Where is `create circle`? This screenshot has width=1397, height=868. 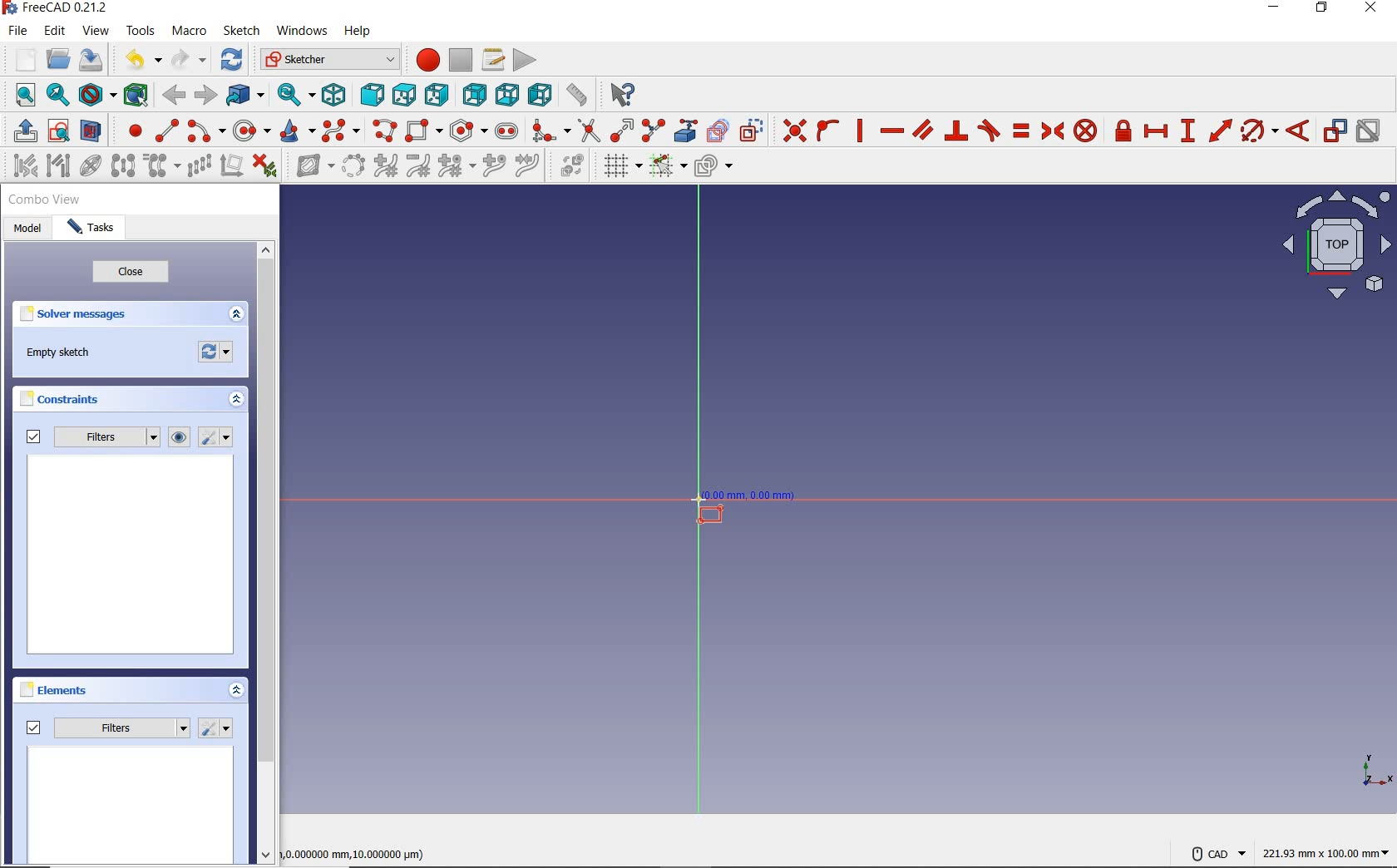
create circle is located at coordinates (252, 131).